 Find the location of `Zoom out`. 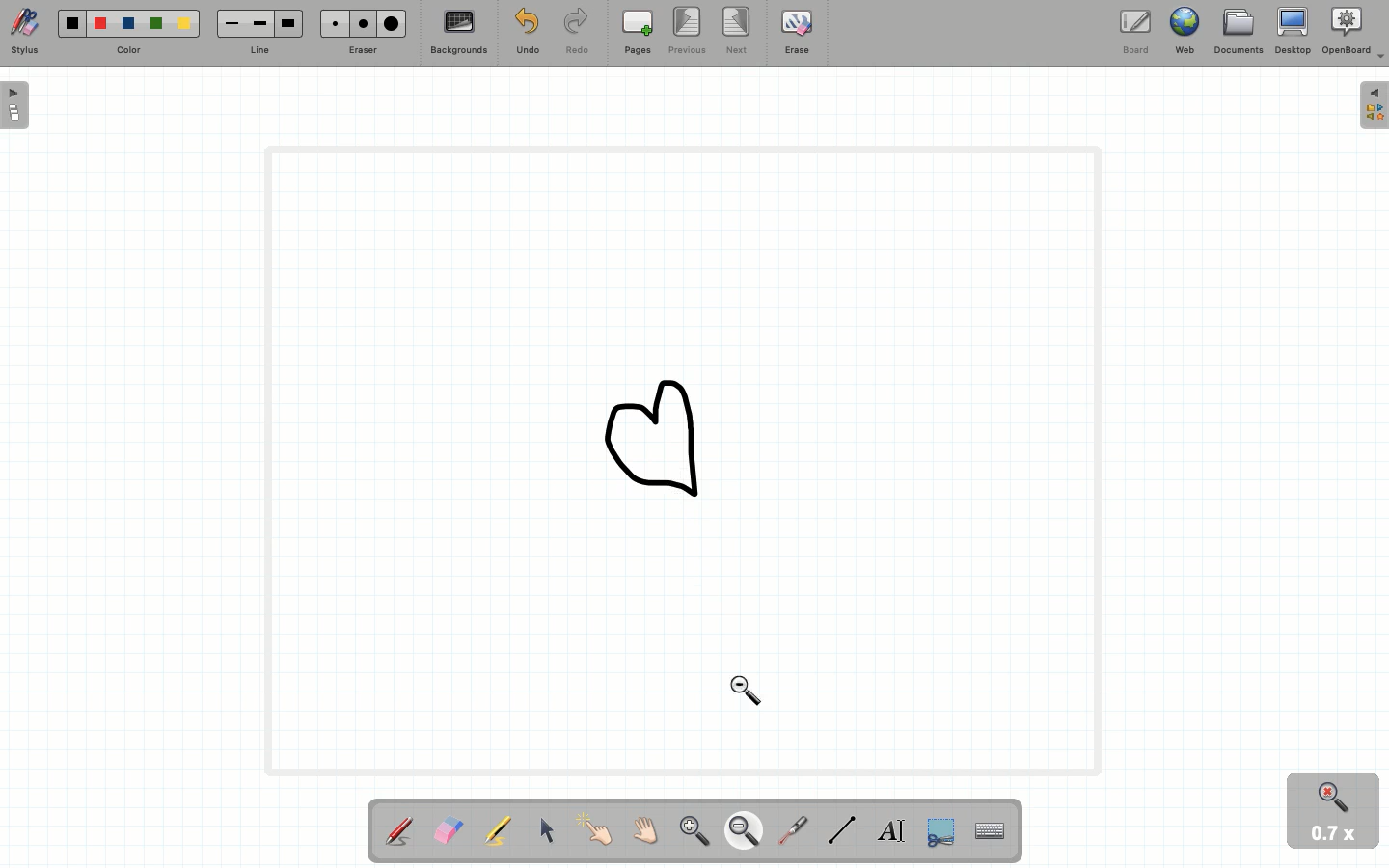

Zoom out is located at coordinates (744, 832).